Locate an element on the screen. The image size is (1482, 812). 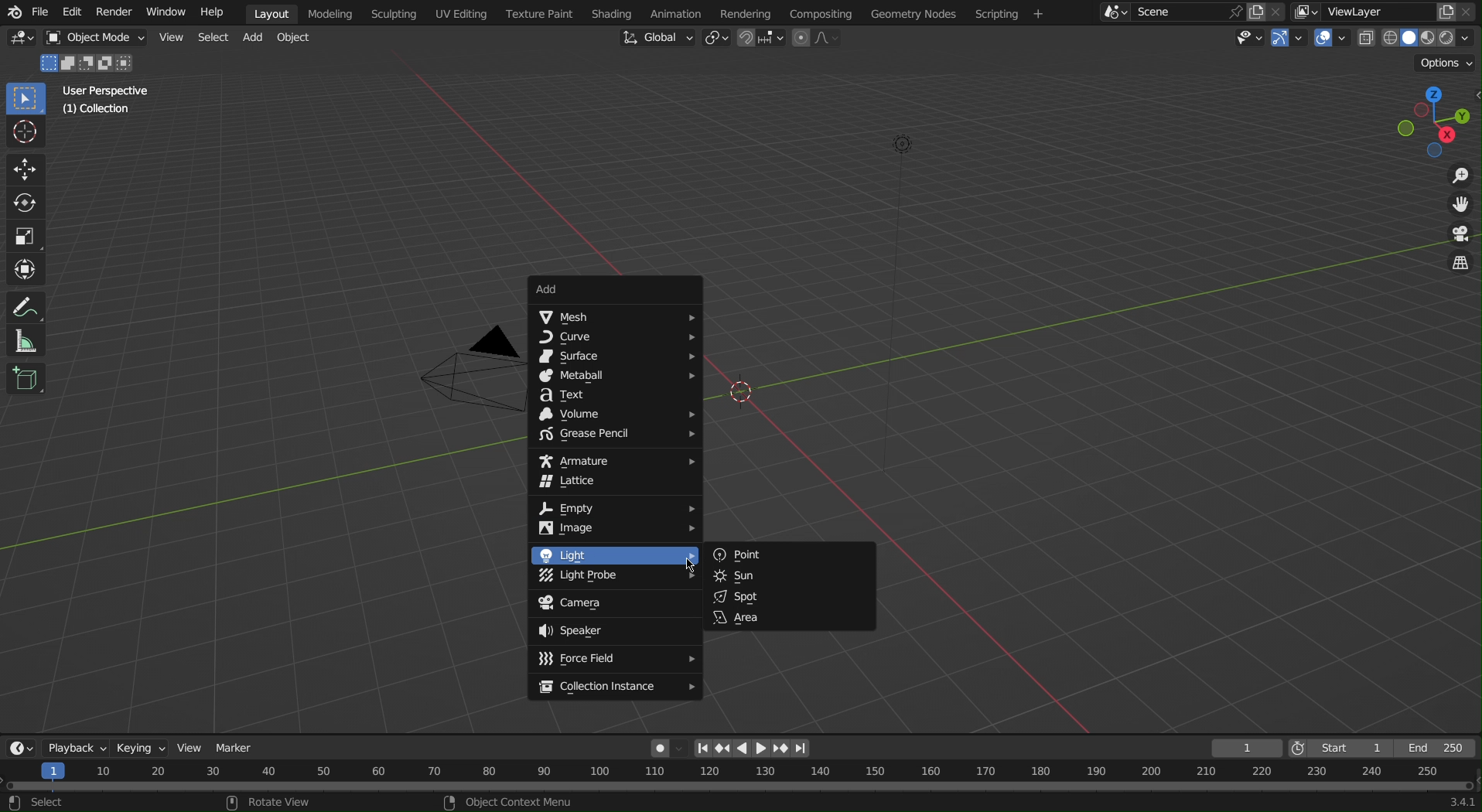
Editor Types is located at coordinates (22, 40).